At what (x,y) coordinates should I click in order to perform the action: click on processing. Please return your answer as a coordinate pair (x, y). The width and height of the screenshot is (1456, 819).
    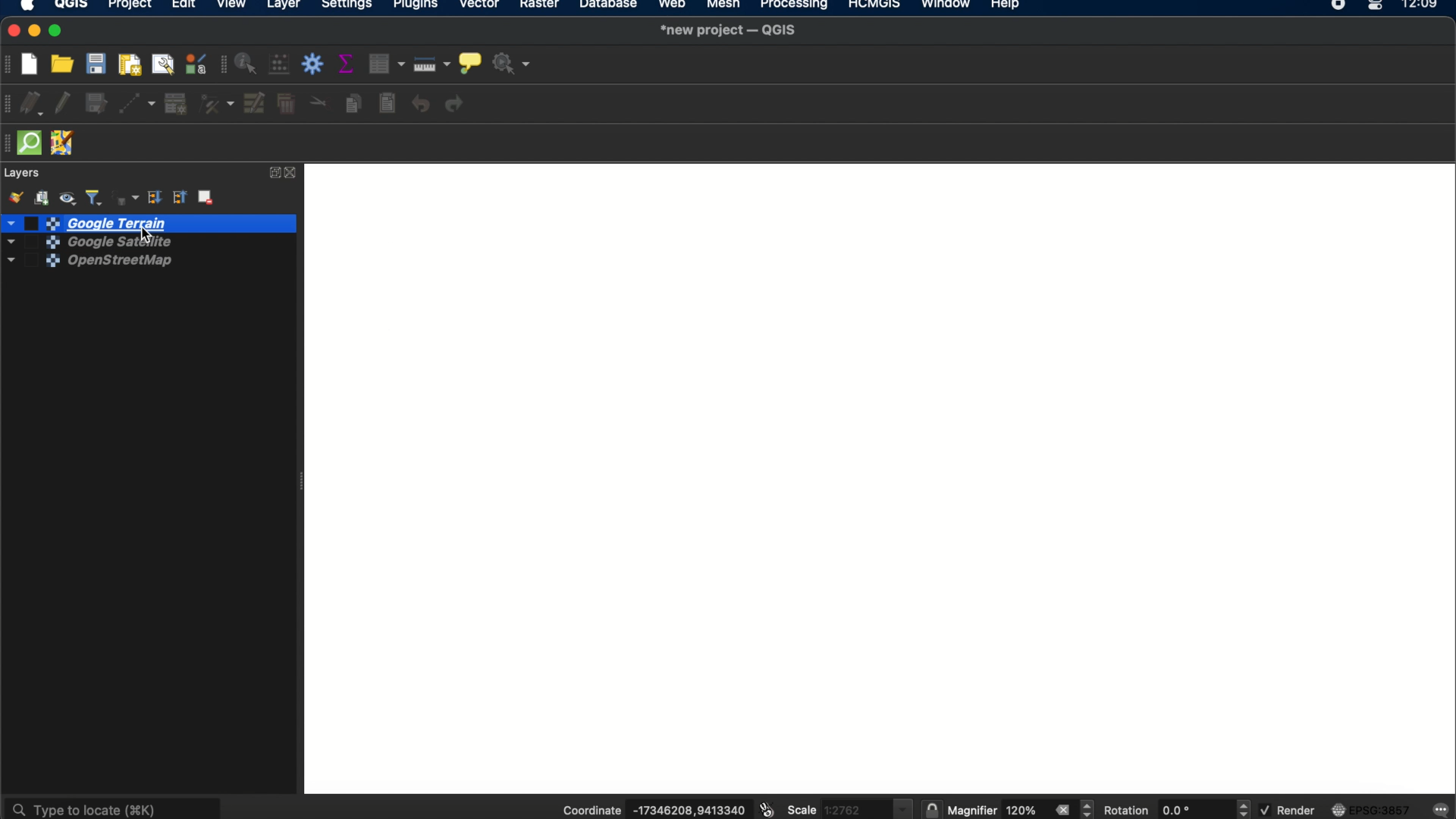
    Looking at the image, I should click on (795, 6).